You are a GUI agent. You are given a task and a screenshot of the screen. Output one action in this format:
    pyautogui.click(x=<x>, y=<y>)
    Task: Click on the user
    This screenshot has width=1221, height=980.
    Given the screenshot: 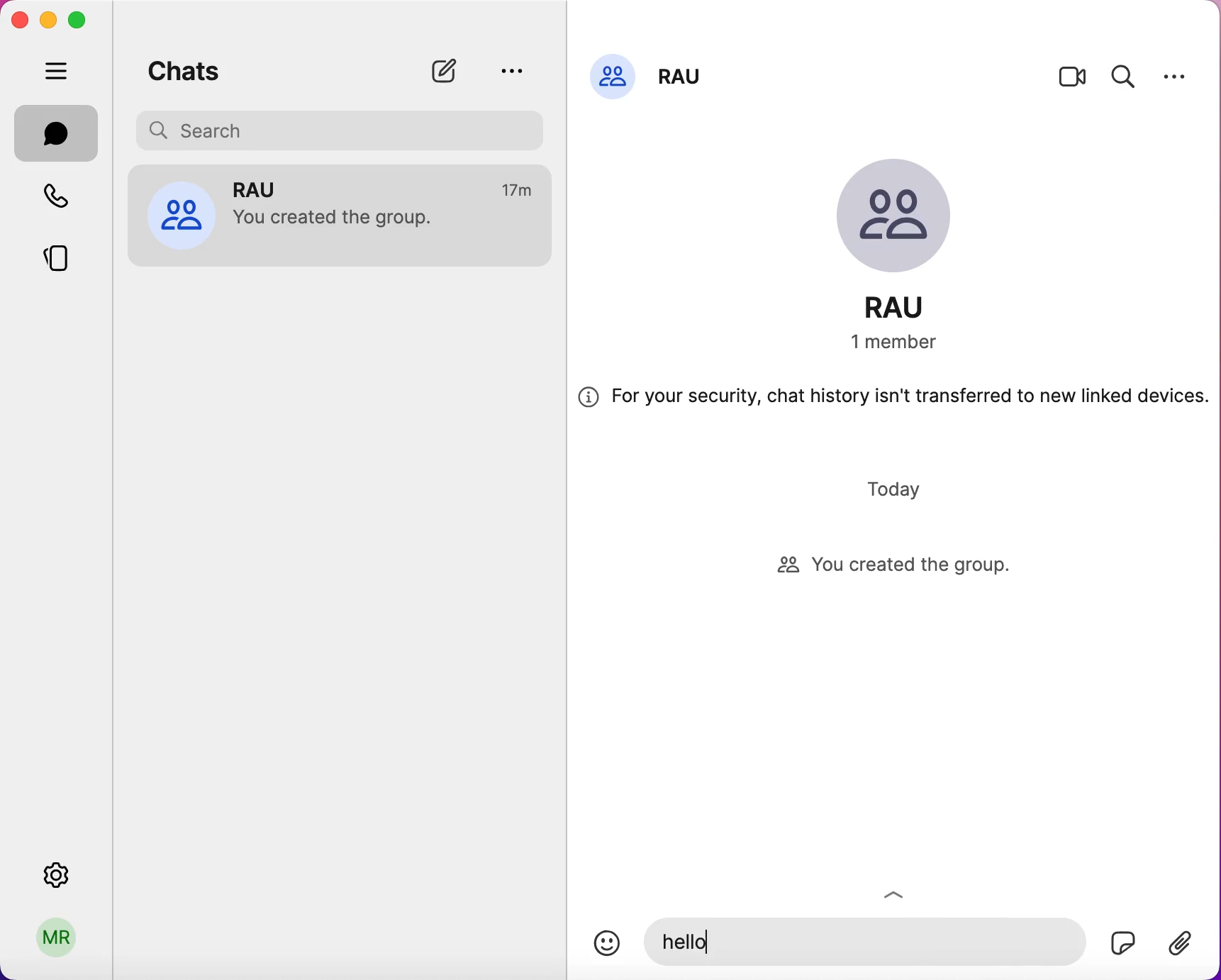 What is the action you would take?
    pyautogui.click(x=57, y=942)
    